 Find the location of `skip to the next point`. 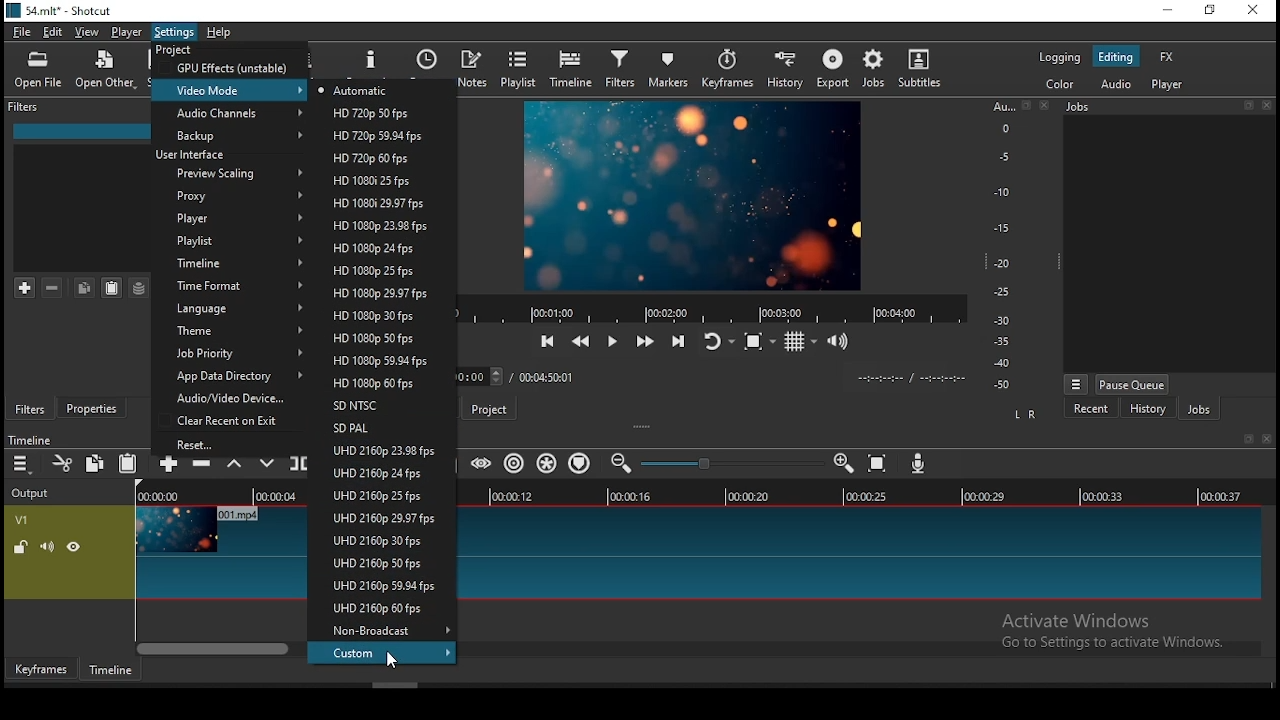

skip to the next point is located at coordinates (678, 342).